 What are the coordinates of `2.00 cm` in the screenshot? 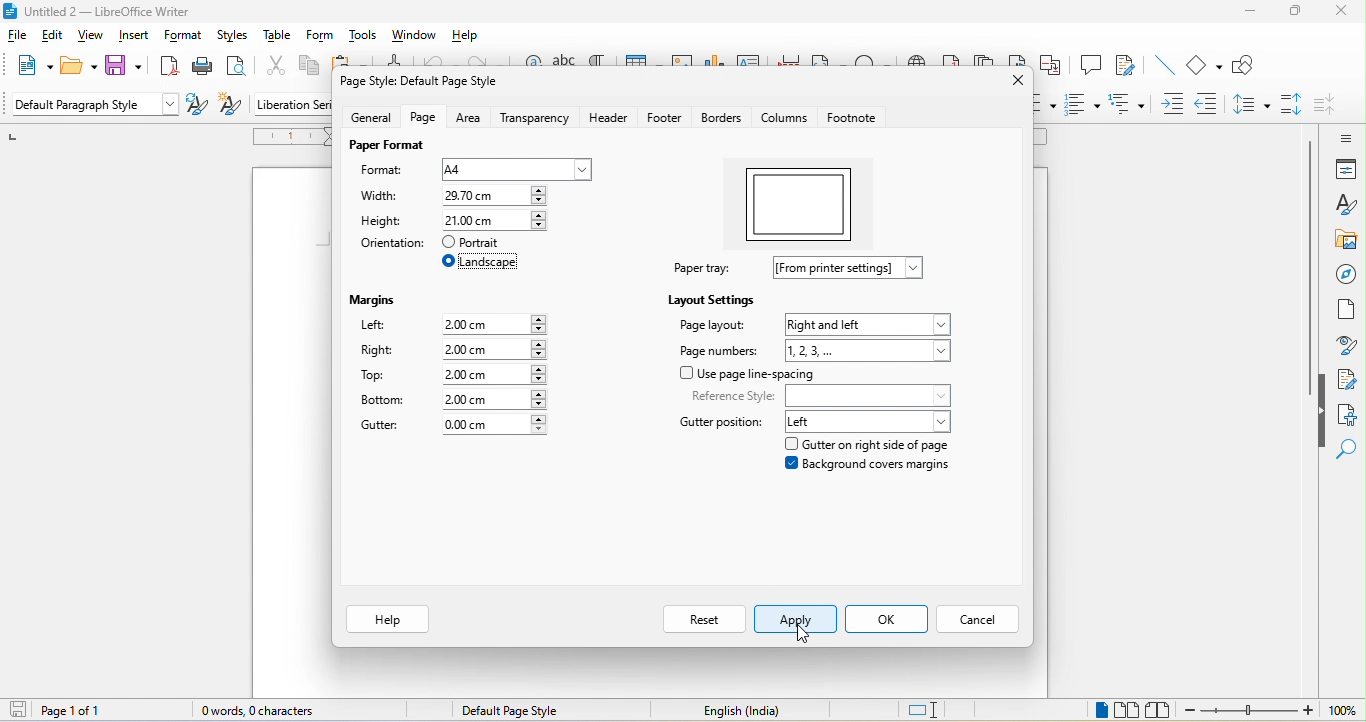 It's located at (491, 374).